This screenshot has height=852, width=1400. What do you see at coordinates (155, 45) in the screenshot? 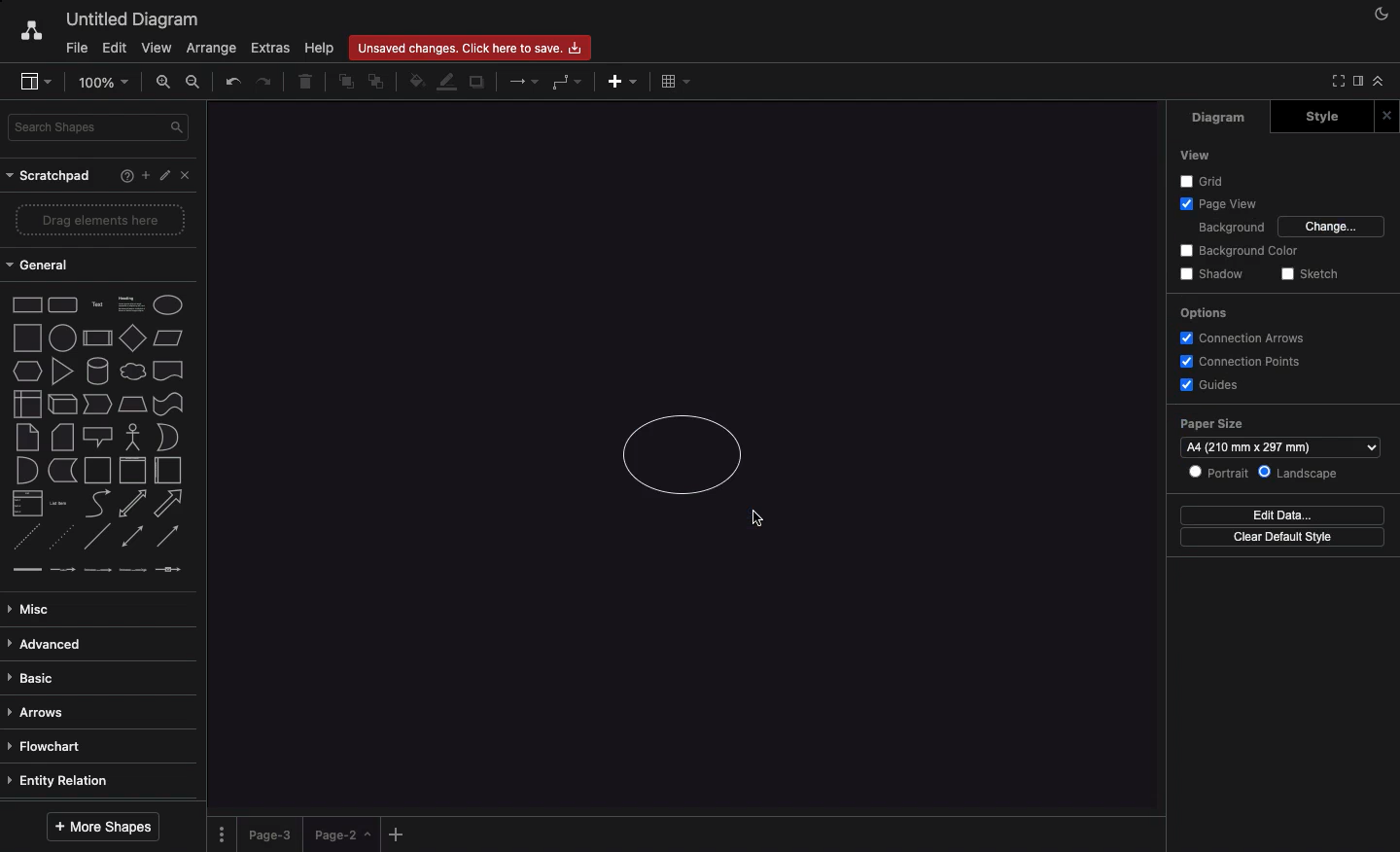
I see `View` at bounding box center [155, 45].